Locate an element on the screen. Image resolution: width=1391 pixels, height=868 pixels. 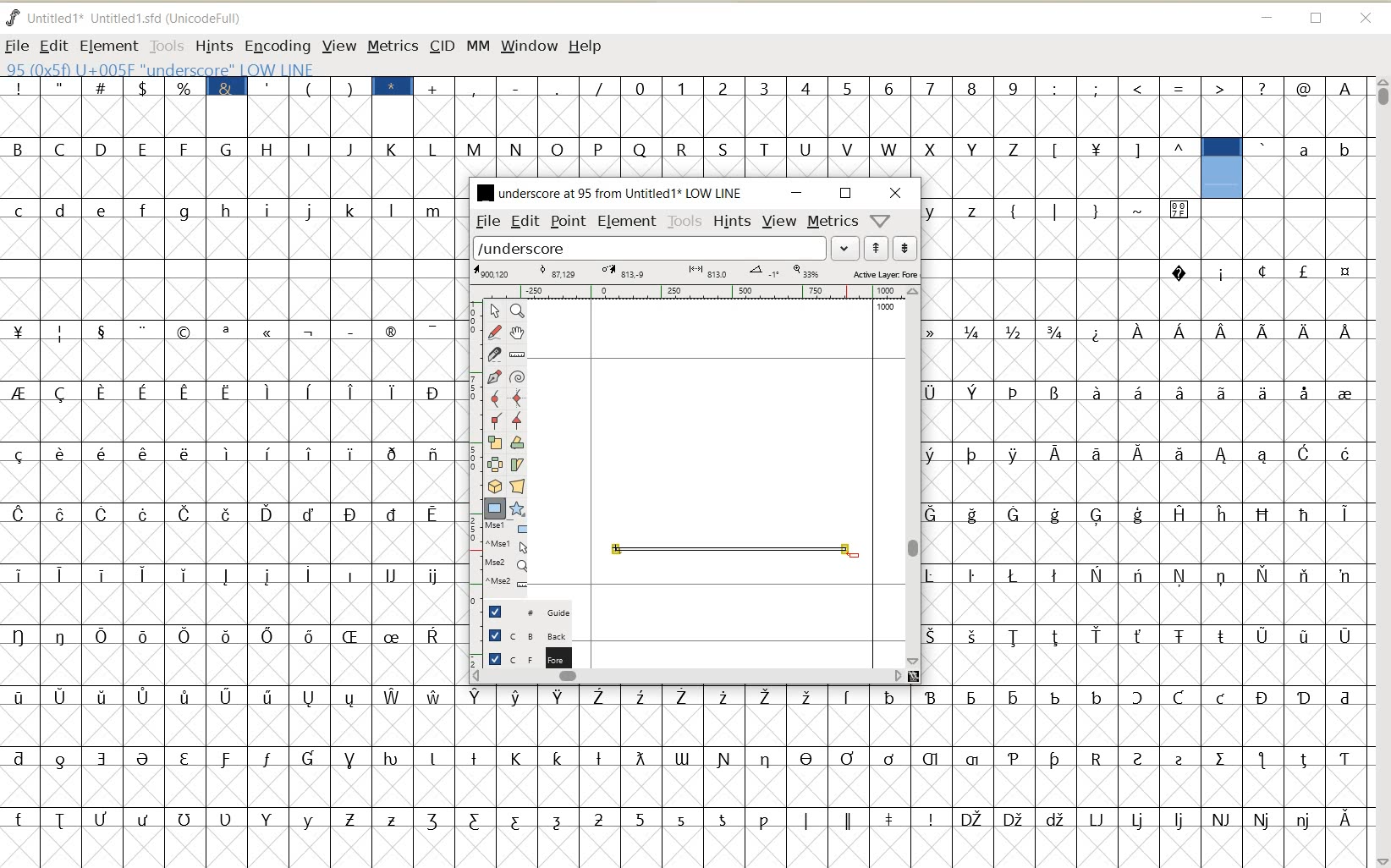
VIEW is located at coordinates (336, 45).